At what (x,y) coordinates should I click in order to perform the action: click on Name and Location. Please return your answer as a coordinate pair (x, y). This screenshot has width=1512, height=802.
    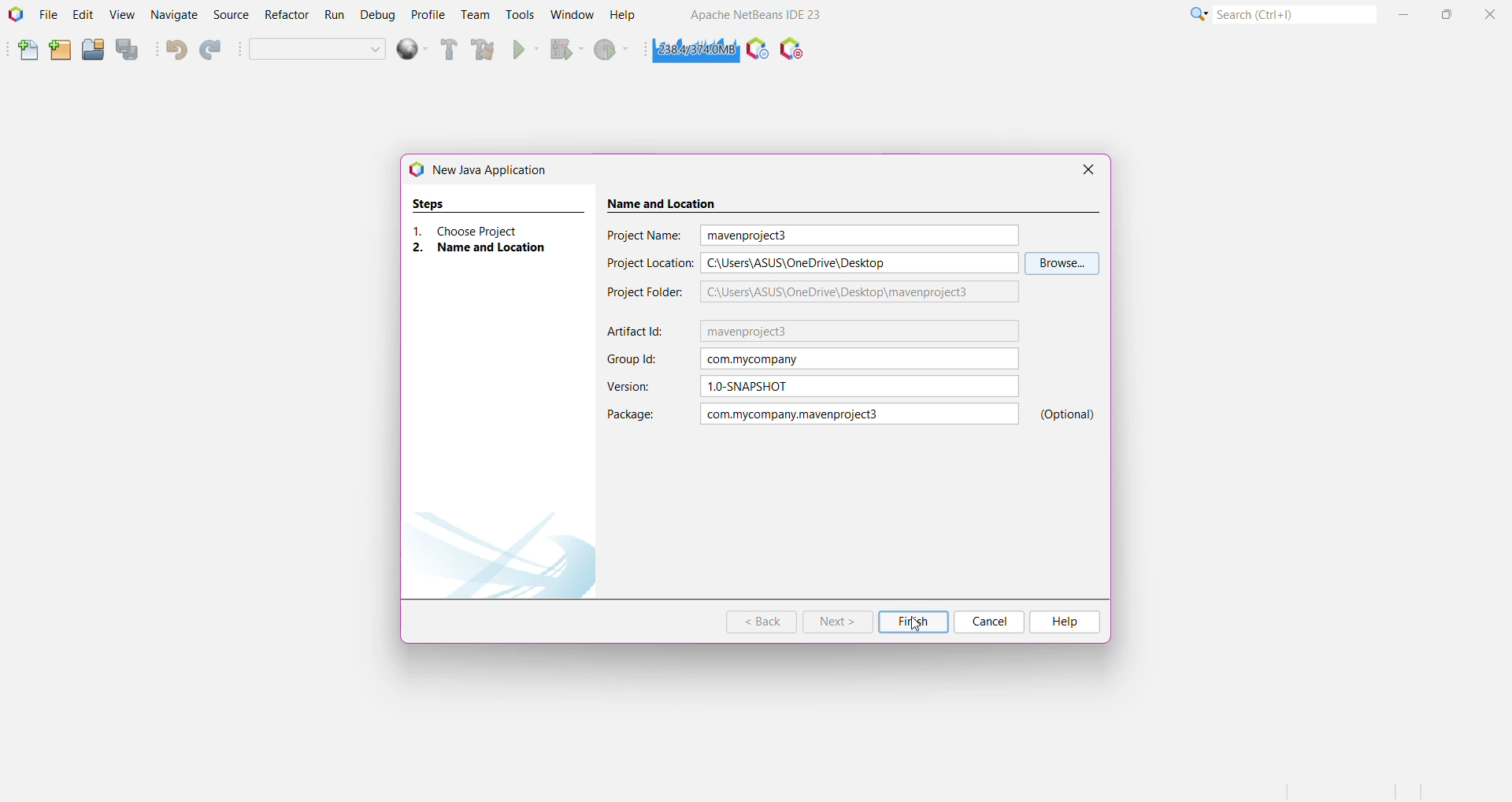
    Looking at the image, I should click on (680, 200).